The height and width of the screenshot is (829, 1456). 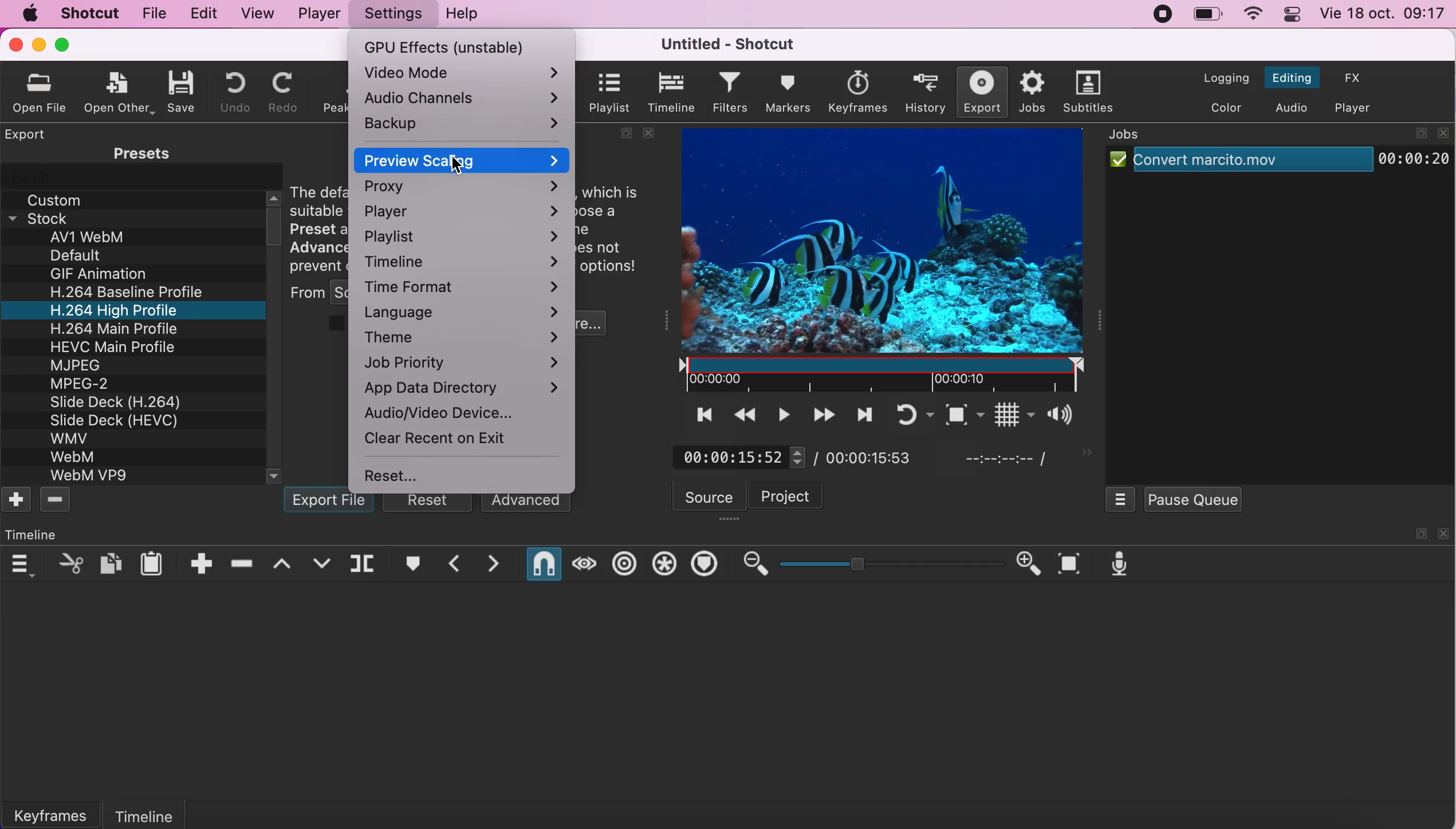 I want to click on redo, so click(x=283, y=92).